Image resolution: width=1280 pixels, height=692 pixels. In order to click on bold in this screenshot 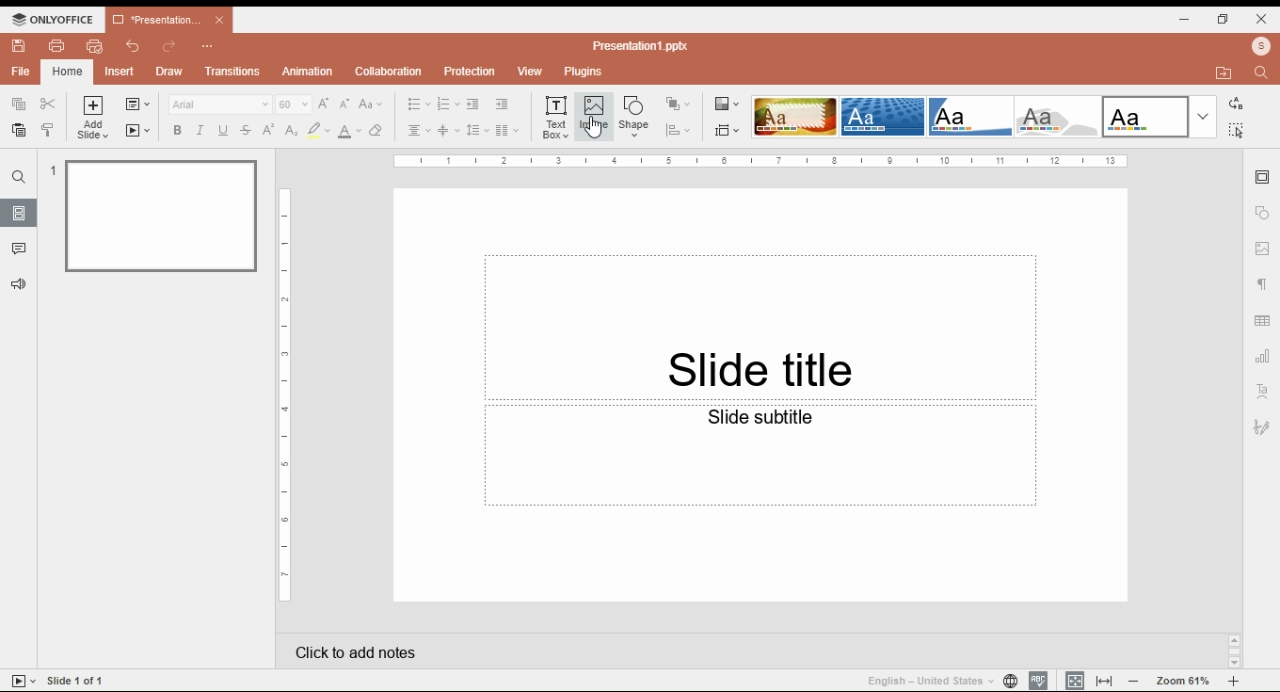, I will do `click(177, 129)`.